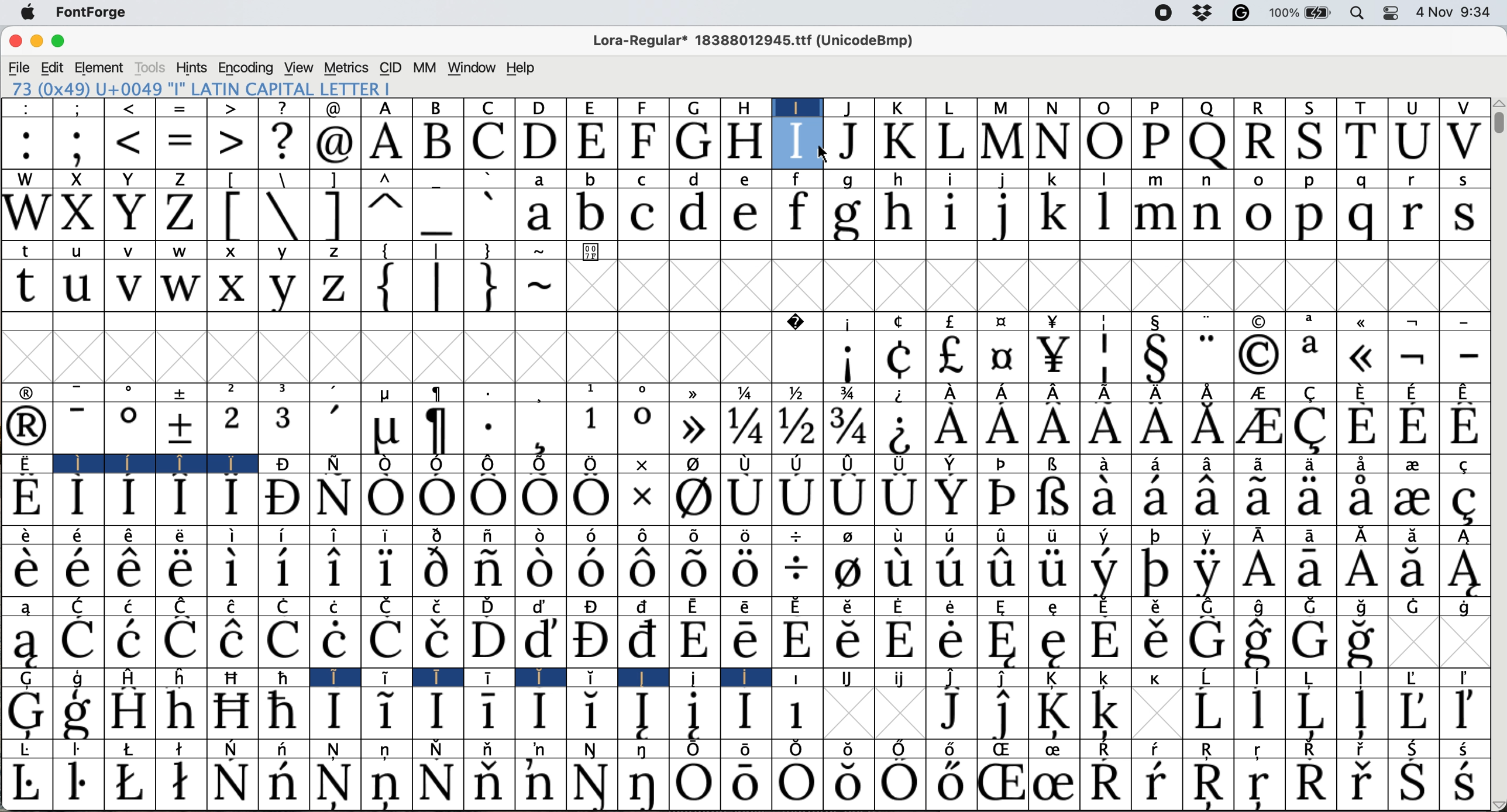  What do you see at coordinates (1261, 214) in the screenshot?
I see `o` at bounding box center [1261, 214].